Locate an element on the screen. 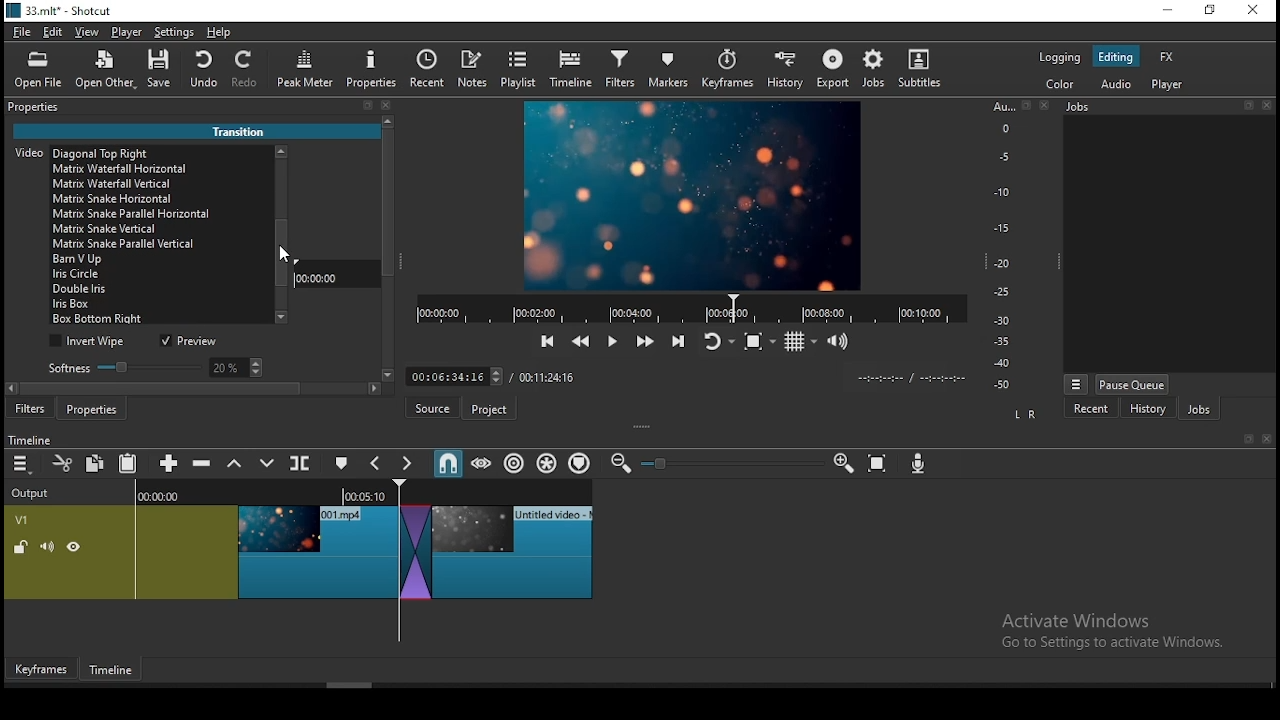 The image size is (1280, 720). transition option is located at coordinates (162, 214).